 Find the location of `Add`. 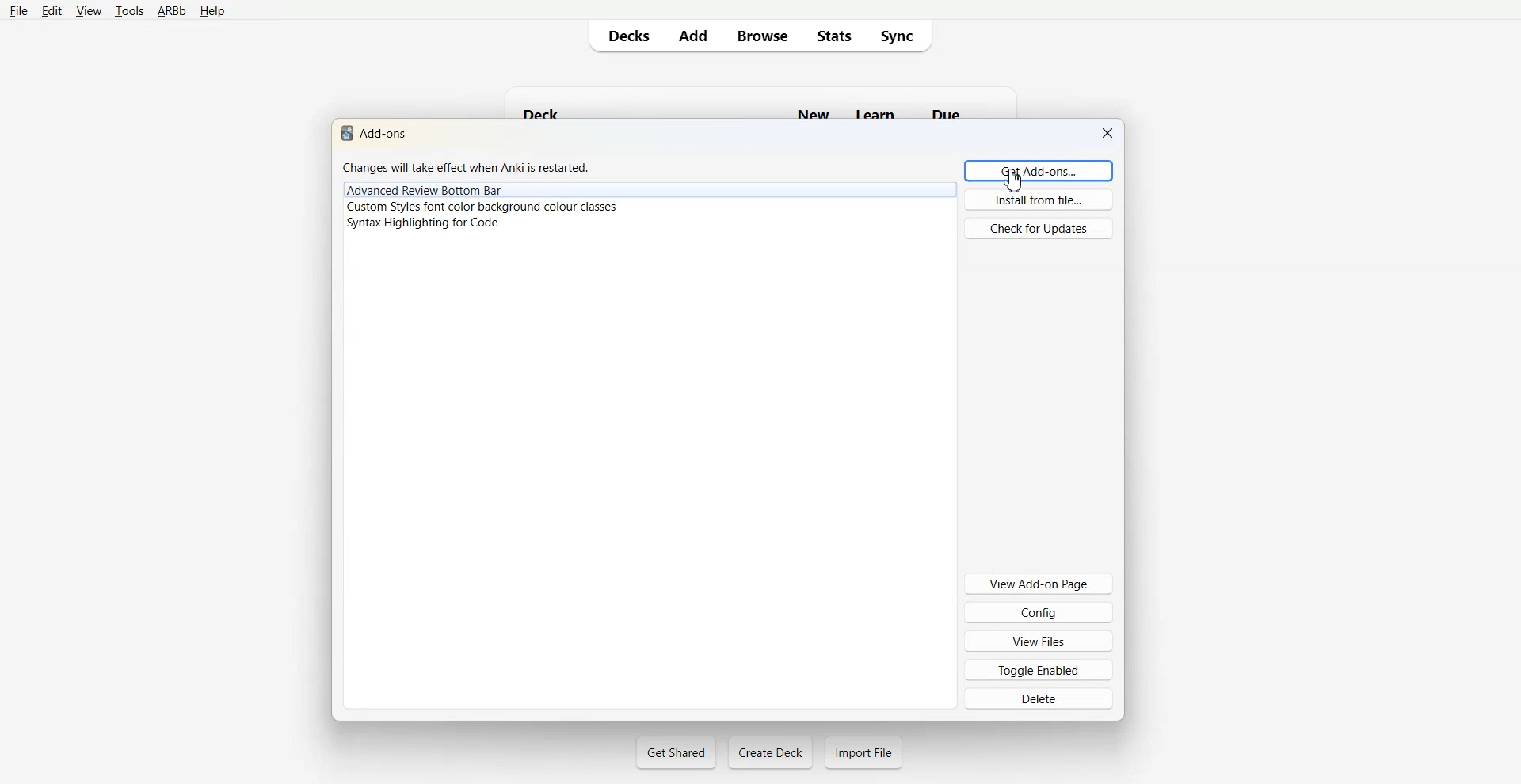

Add is located at coordinates (692, 36).